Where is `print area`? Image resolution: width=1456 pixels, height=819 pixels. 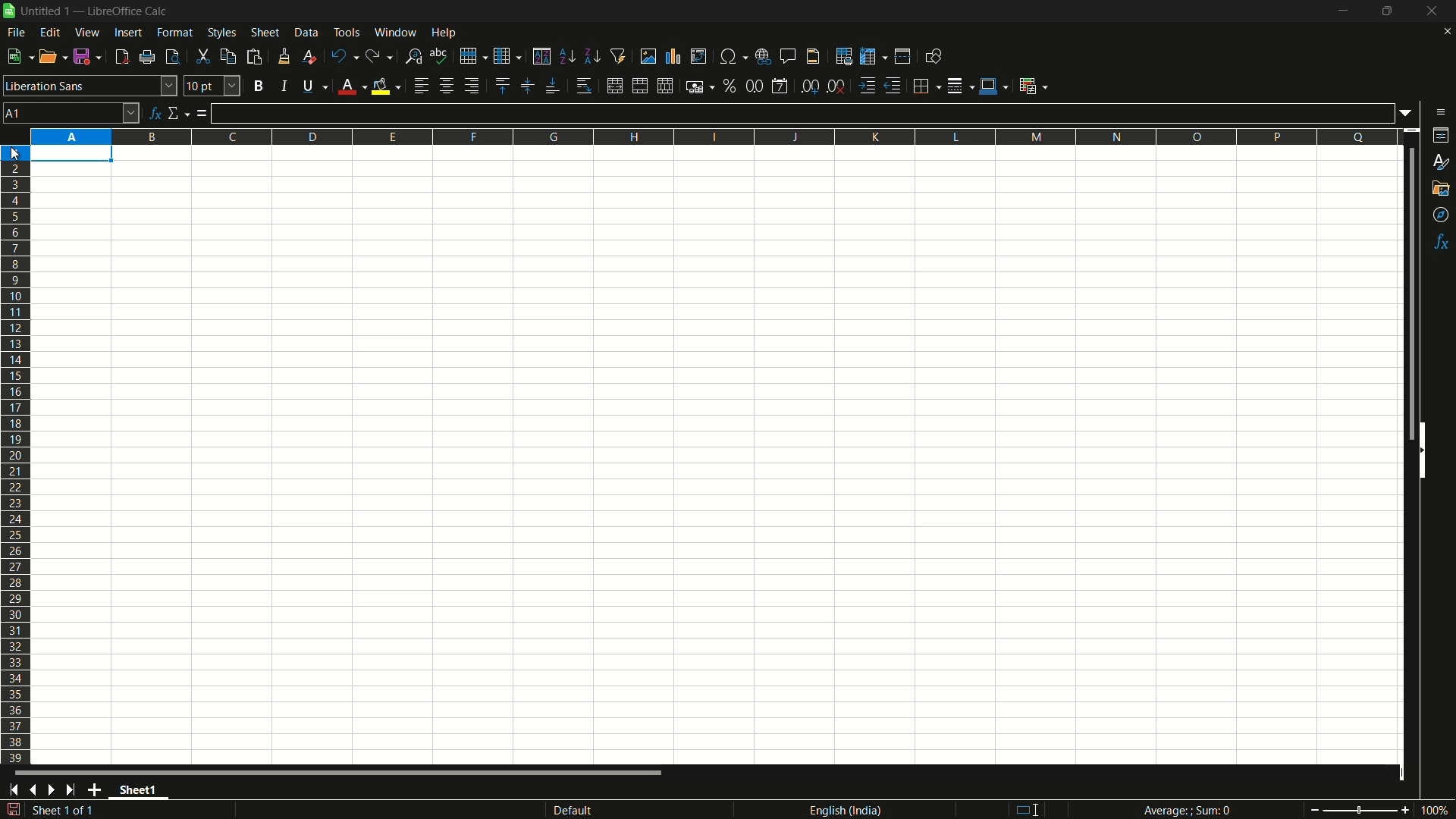 print area is located at coordinates (844, 56).